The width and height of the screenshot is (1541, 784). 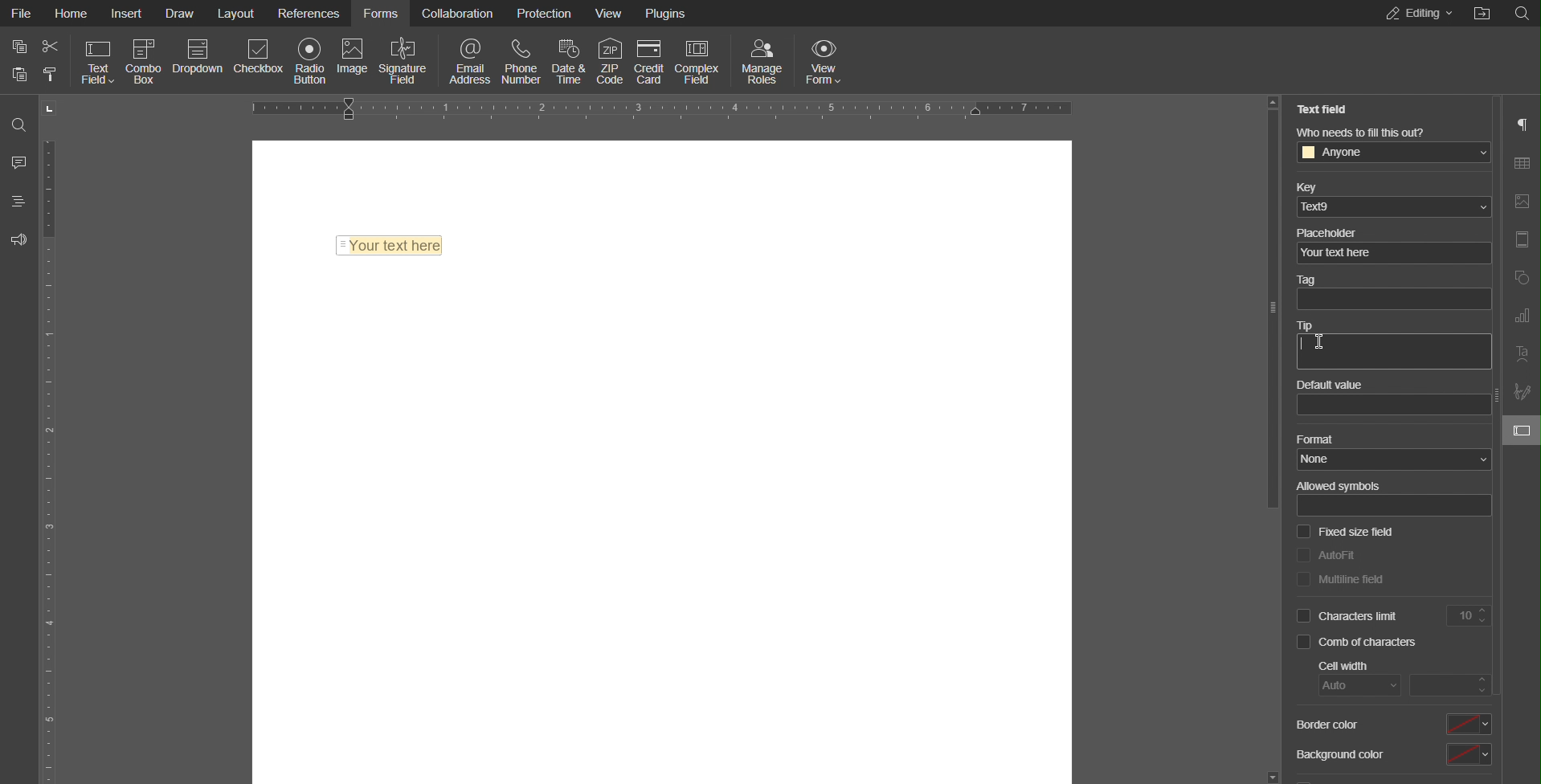 I want to click on Layout, so click(x=238, y=13).